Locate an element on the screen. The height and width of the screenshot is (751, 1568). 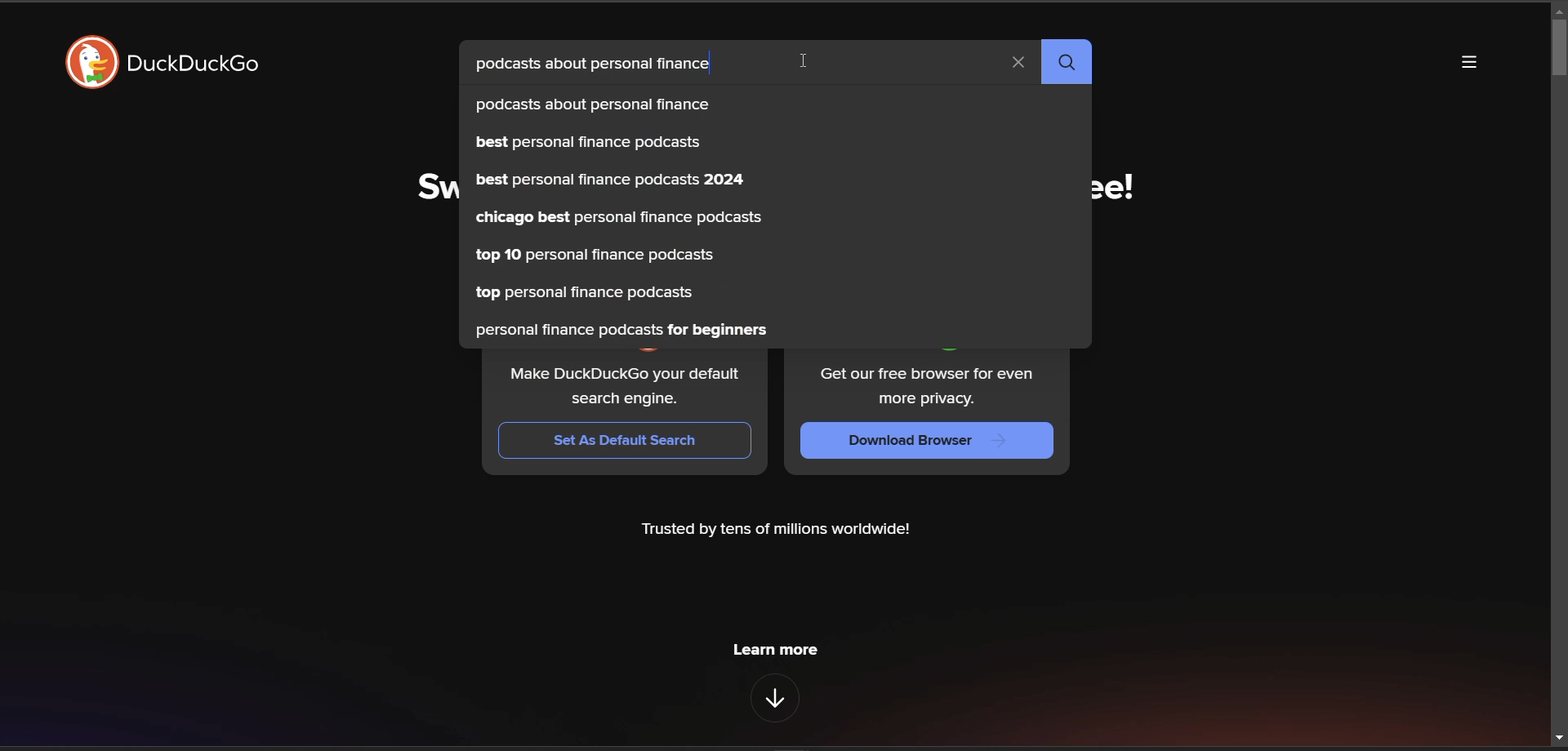
chicago best personal finance podcasts is located at coordinates (619, 218).